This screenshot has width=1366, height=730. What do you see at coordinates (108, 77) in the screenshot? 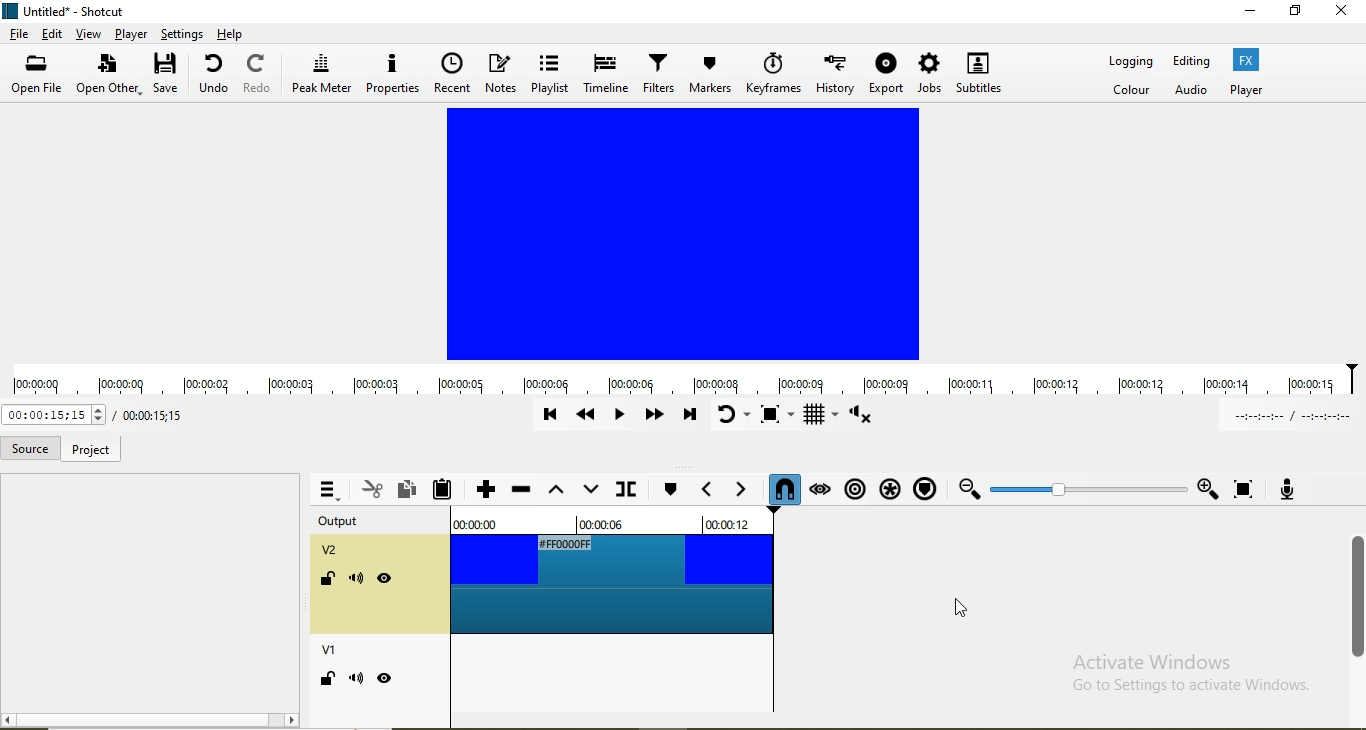
I see `open other` at bounding box center [108, 77].